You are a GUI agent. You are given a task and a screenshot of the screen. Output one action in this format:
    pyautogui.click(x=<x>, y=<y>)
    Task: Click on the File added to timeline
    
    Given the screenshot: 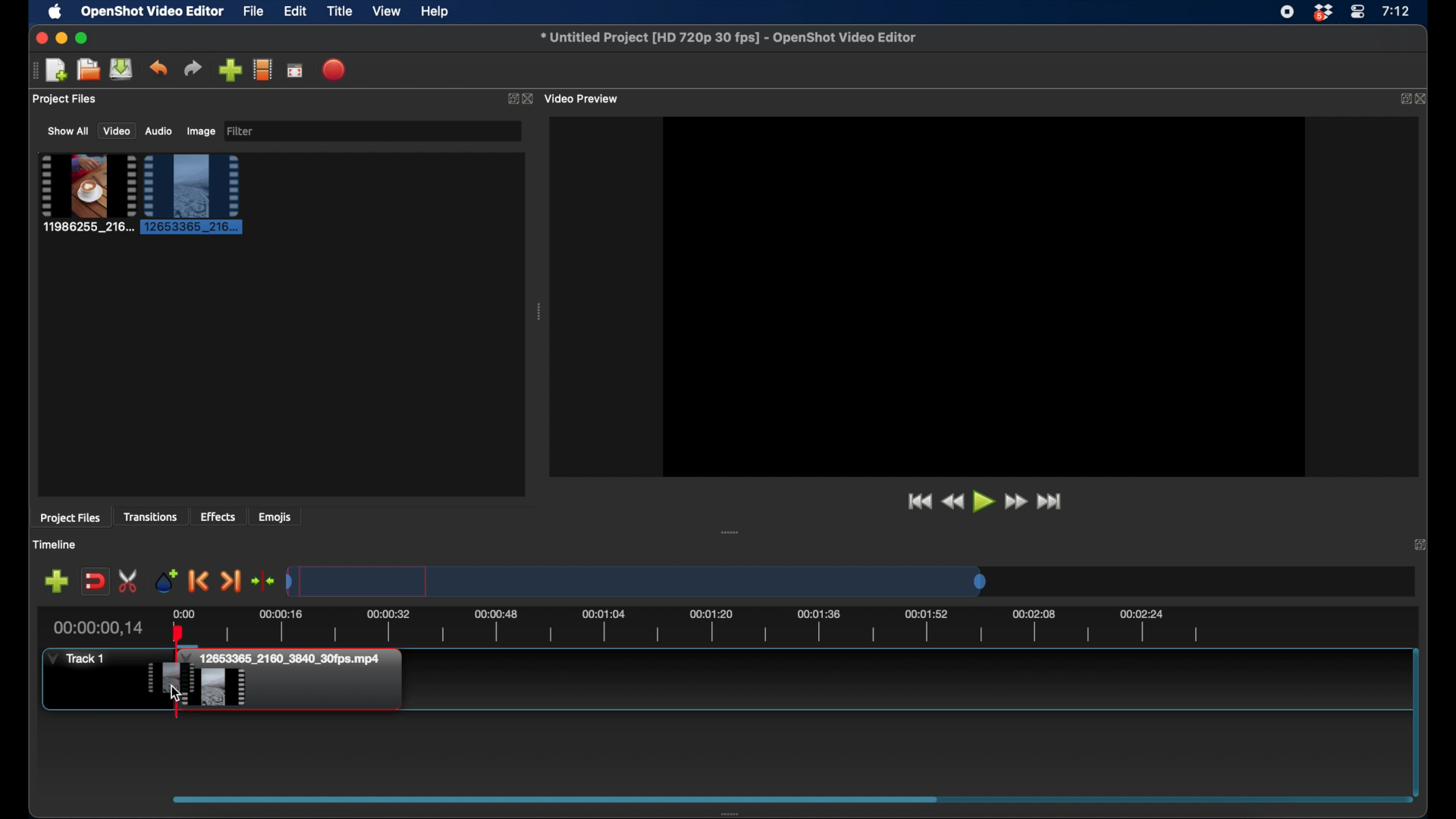 What is the action you would take?
    pyautogui.click(x=300, y=681)
    